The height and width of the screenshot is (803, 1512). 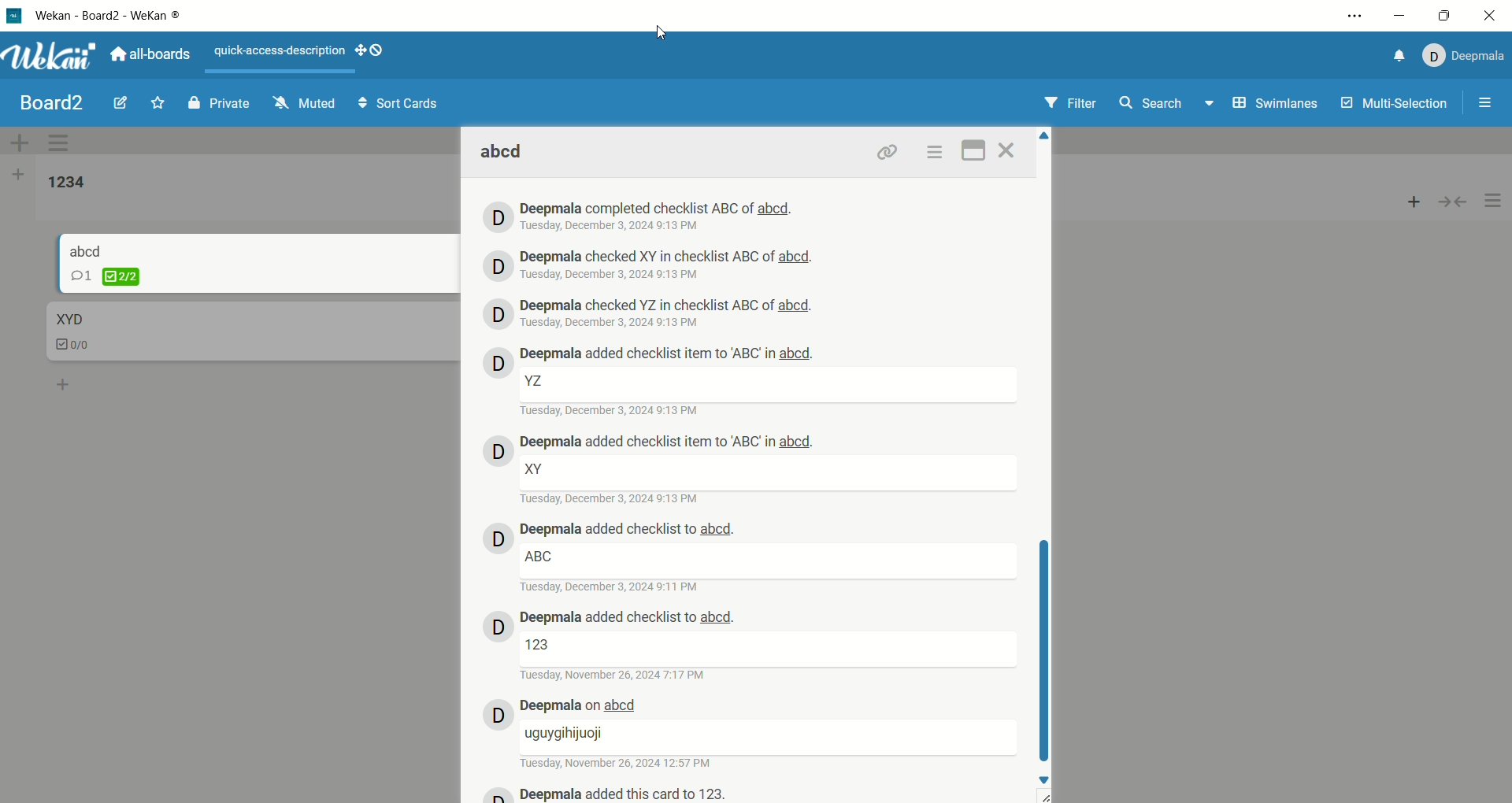 What do you see at coordinates (1395, 58) in the screenshot?
I see `notification` at bounding box center [1395, 58].